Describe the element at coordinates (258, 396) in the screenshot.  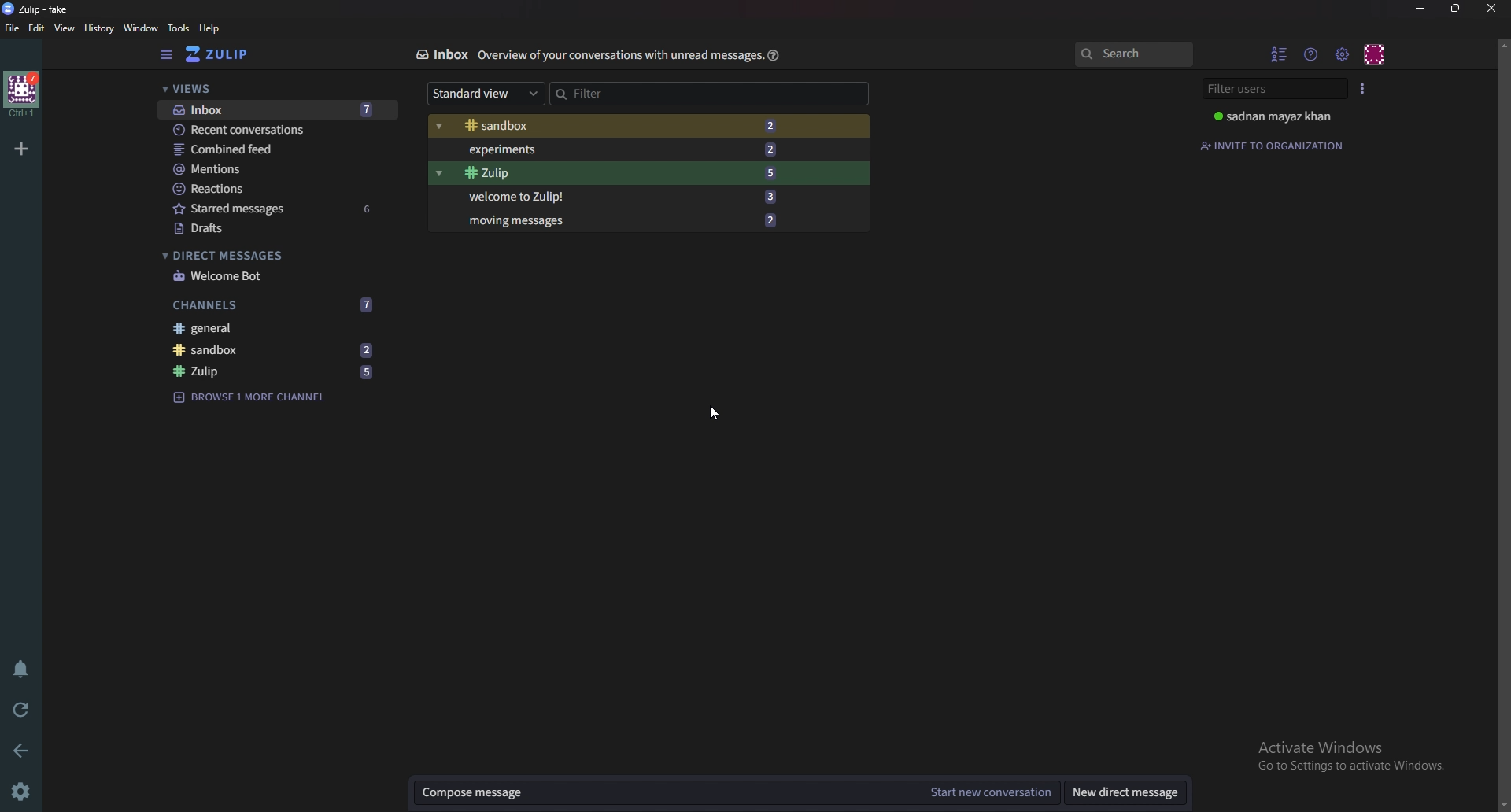
I see `Browse channel` at that location.